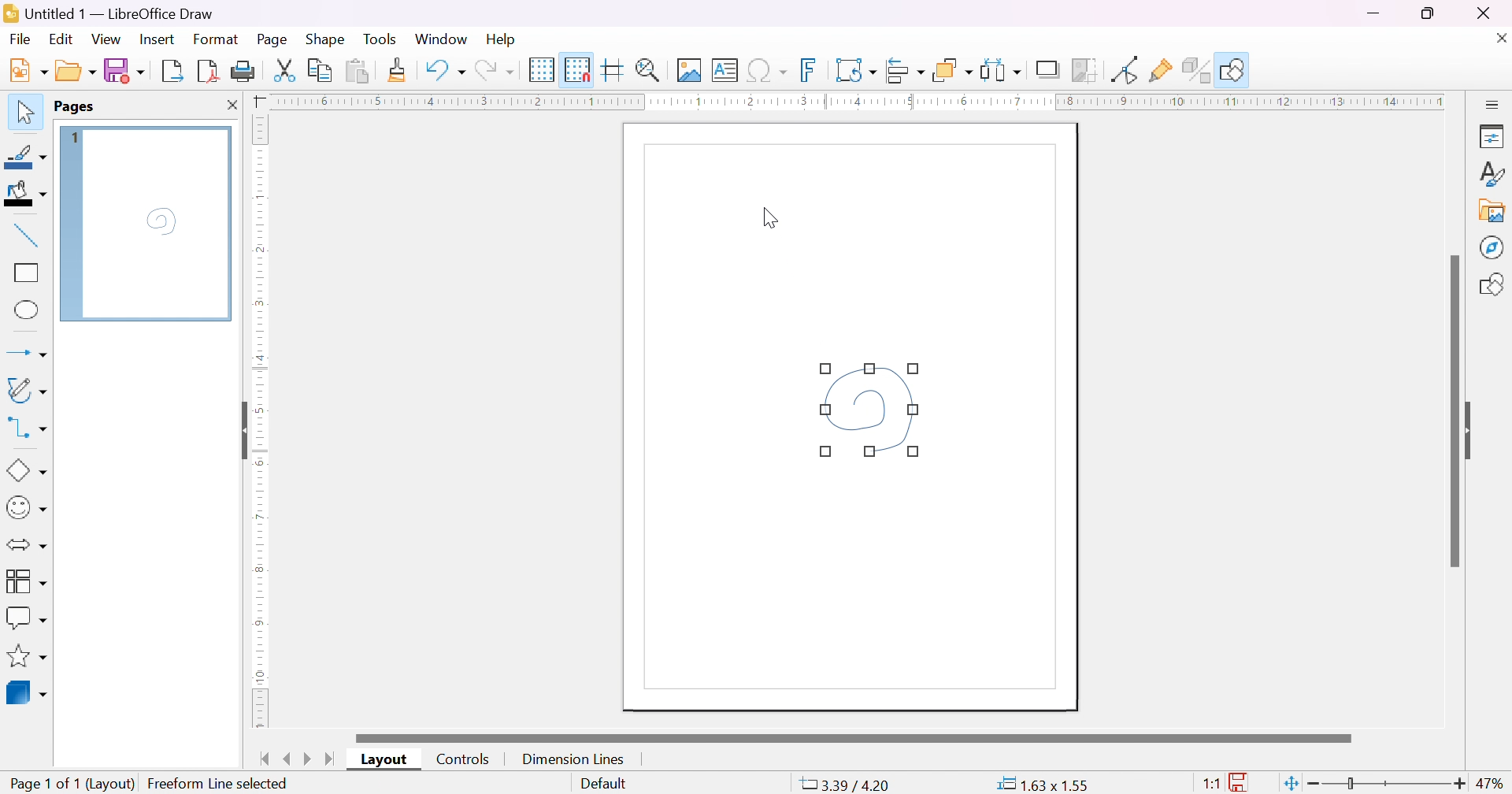 The height and width of the screenshot is (794, 1512). Describe the element at coordinates (217, 38) in the screenshot. I see `format` at that location.